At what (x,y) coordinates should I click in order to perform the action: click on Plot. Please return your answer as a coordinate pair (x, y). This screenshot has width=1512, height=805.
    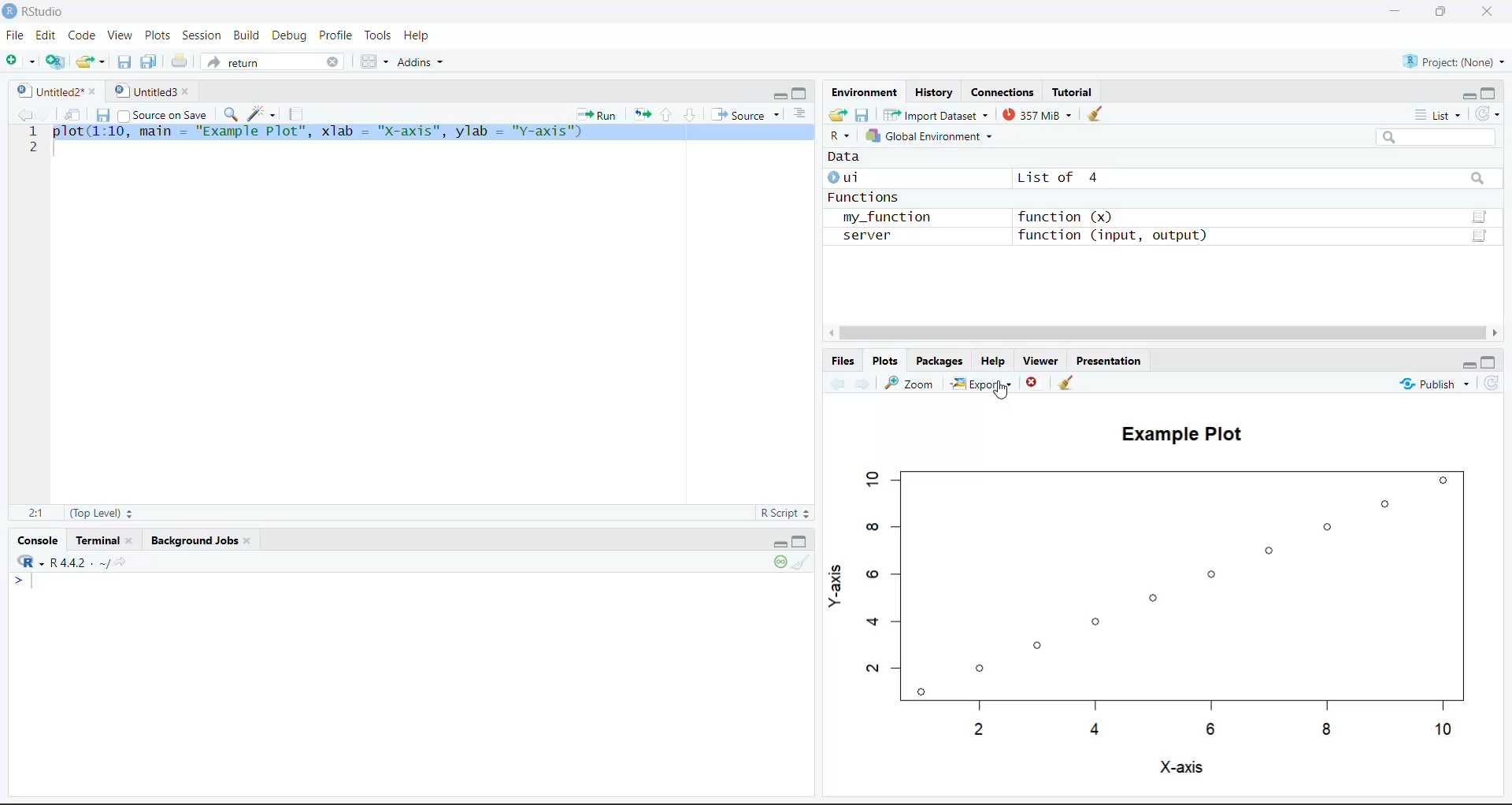
    Looking at the image, I should click on (1167, 600).